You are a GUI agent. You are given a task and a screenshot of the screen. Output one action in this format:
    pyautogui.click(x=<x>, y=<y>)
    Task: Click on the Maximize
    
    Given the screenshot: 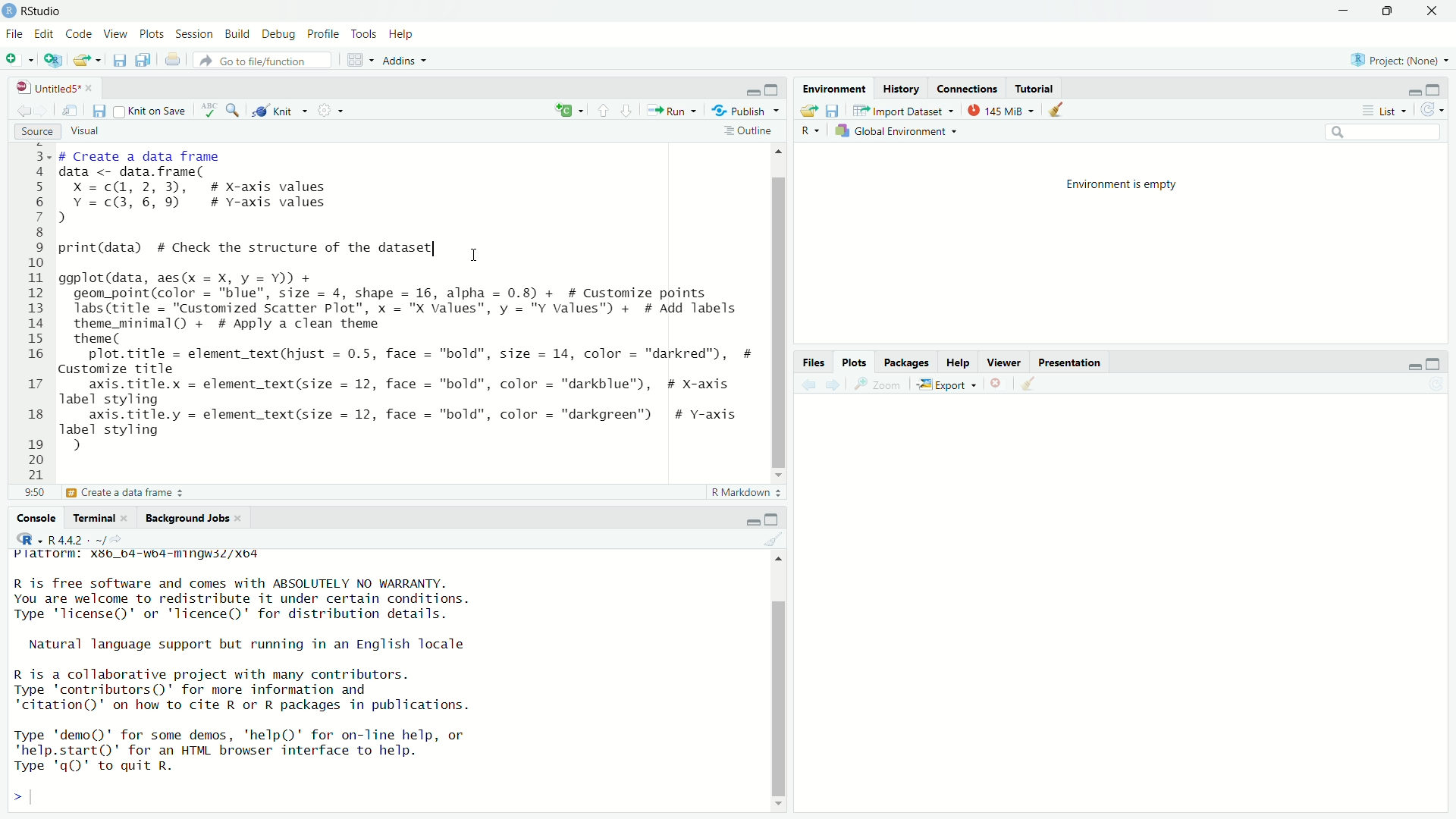 What is the action you would take?
    pyautogui.click(x=1389, y=9)
    